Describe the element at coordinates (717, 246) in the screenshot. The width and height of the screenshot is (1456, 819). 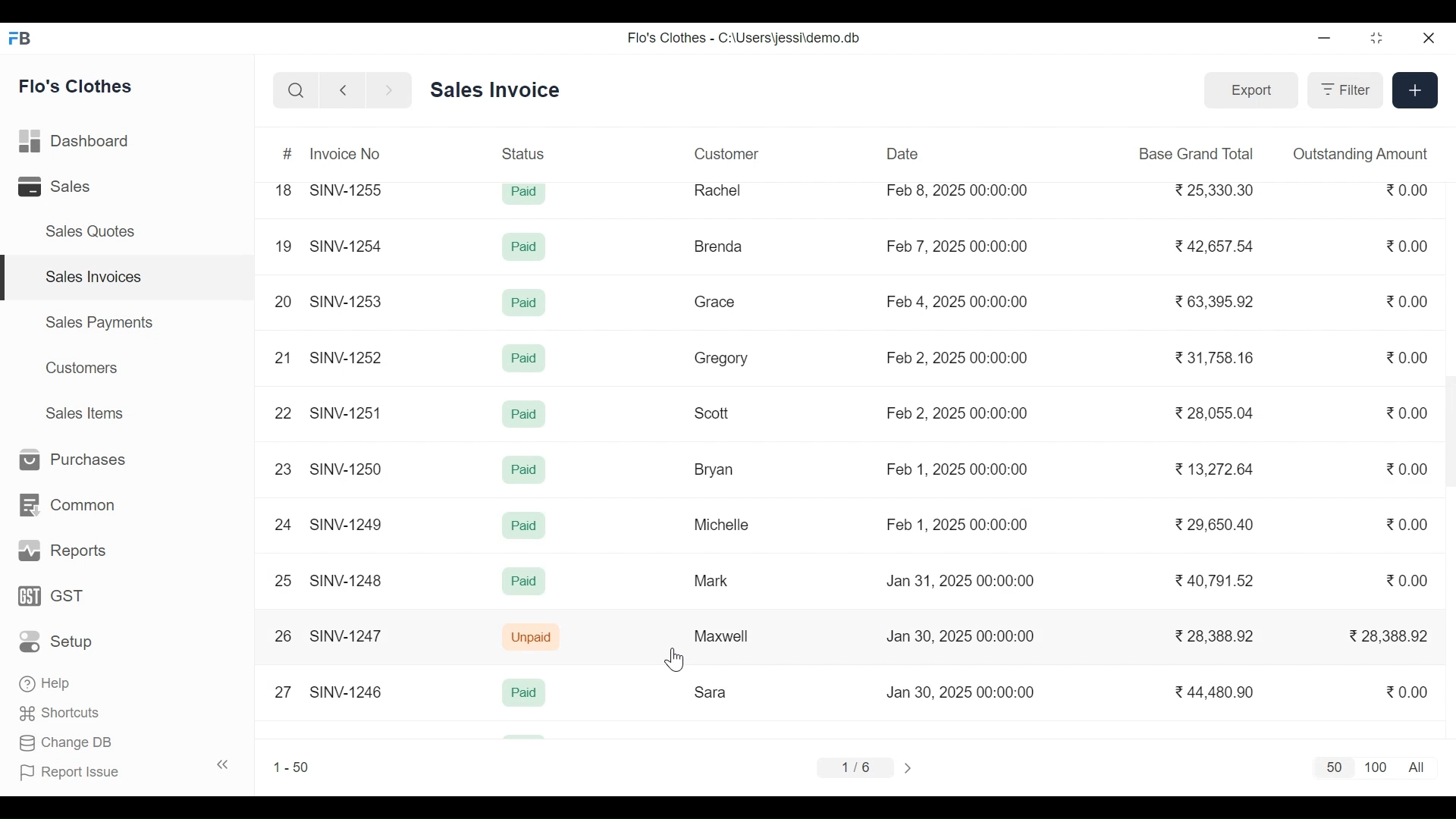
I see `Brenda` at that location.